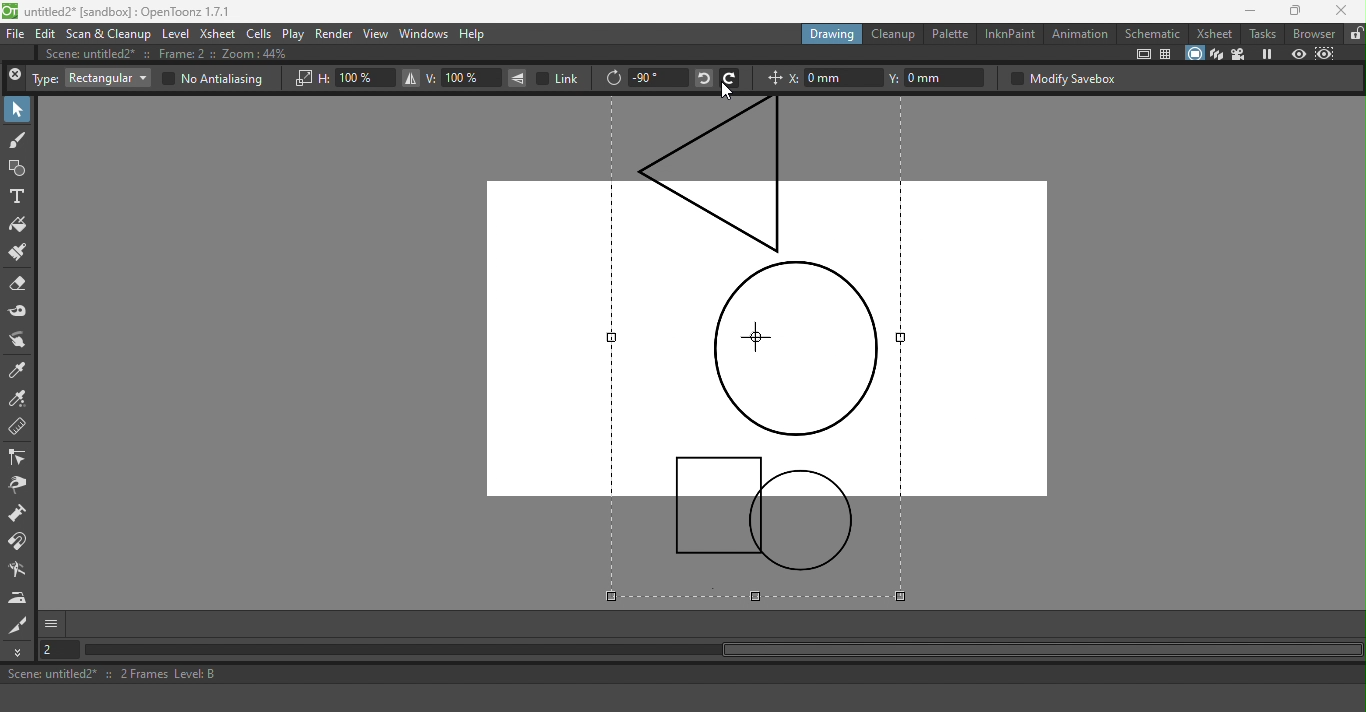 This screenshot has width=1366, height=712. Describe the element at coordinates (18, 487) in the screenshot. I see `Pinch tool` at that location.